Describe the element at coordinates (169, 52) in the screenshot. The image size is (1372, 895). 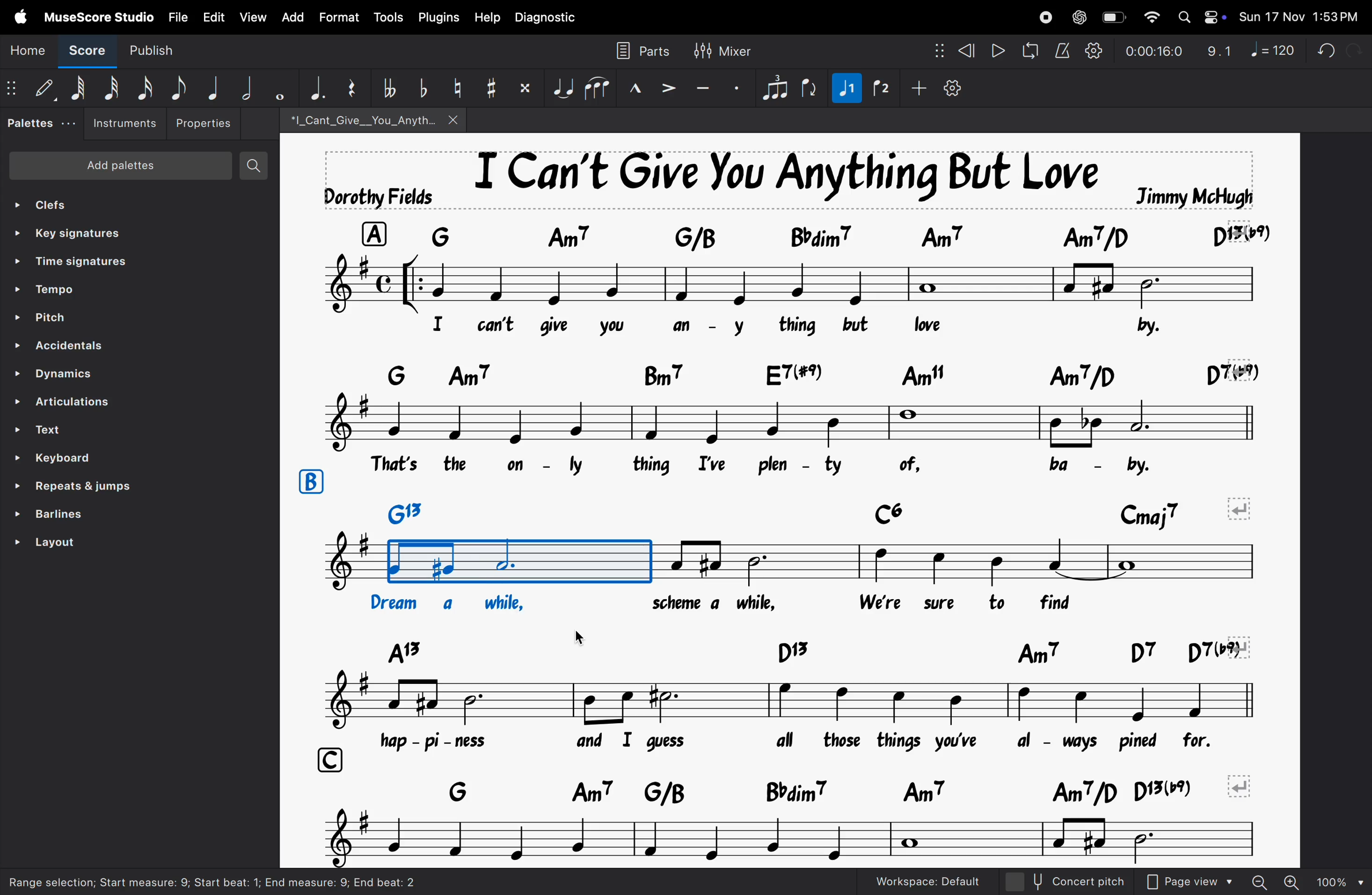
I see `publish` at that location.